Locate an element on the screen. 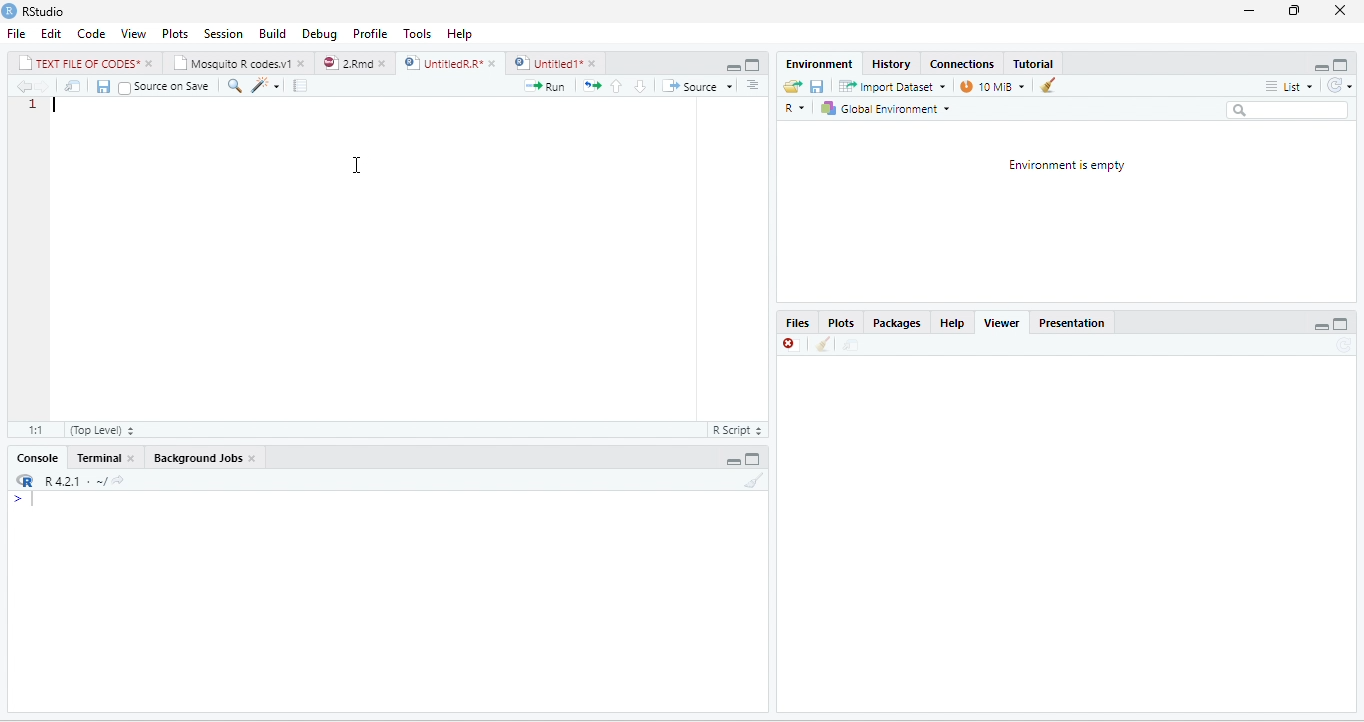 Image resolution: width=1364 pixels, height=722 pixels. maximize is located at coordinates (735, 64).